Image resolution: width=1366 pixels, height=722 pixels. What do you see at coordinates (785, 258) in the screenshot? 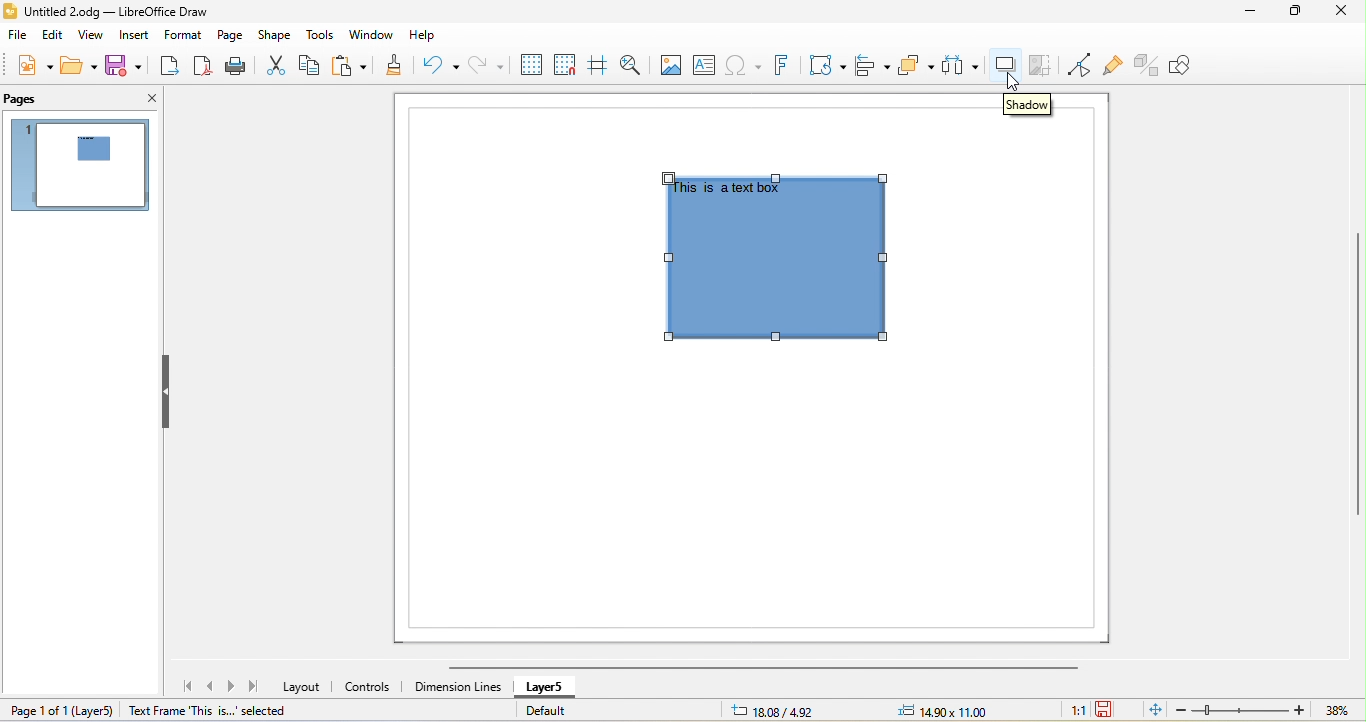
I see `Added a reflection effect` at bounding box center [785, 258].